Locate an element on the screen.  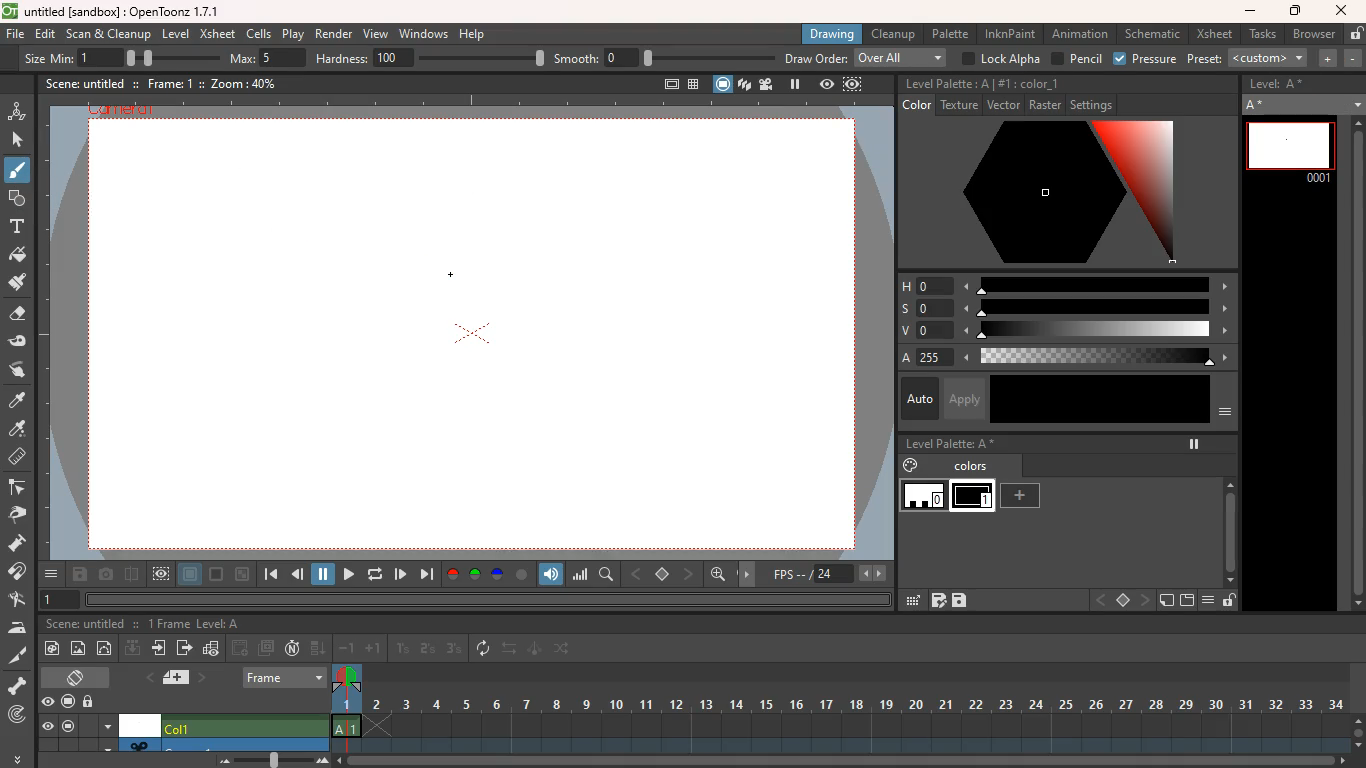
volume is located at coordinates (553, 573).